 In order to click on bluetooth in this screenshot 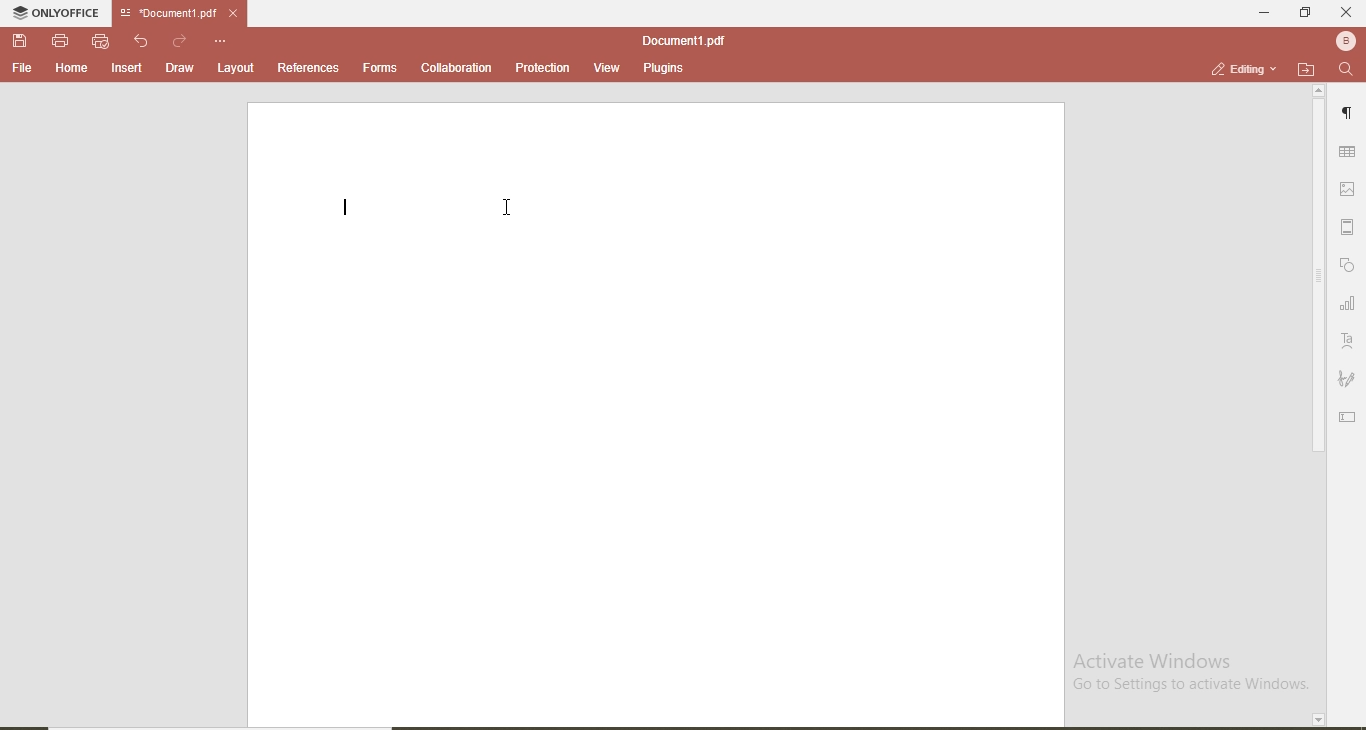, I will do `click(1343, 41)`.